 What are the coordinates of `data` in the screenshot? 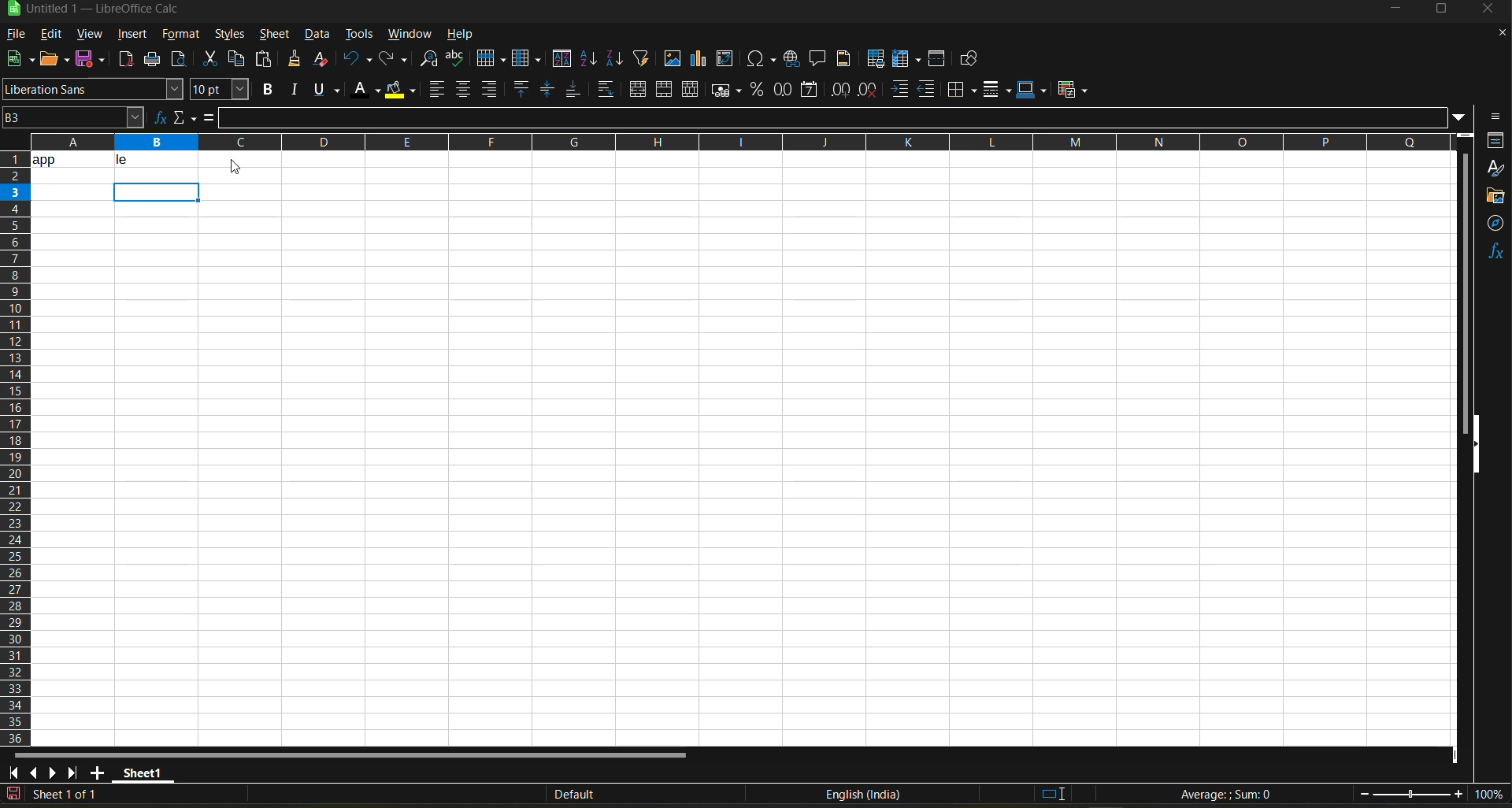 It's located at (113, 159).